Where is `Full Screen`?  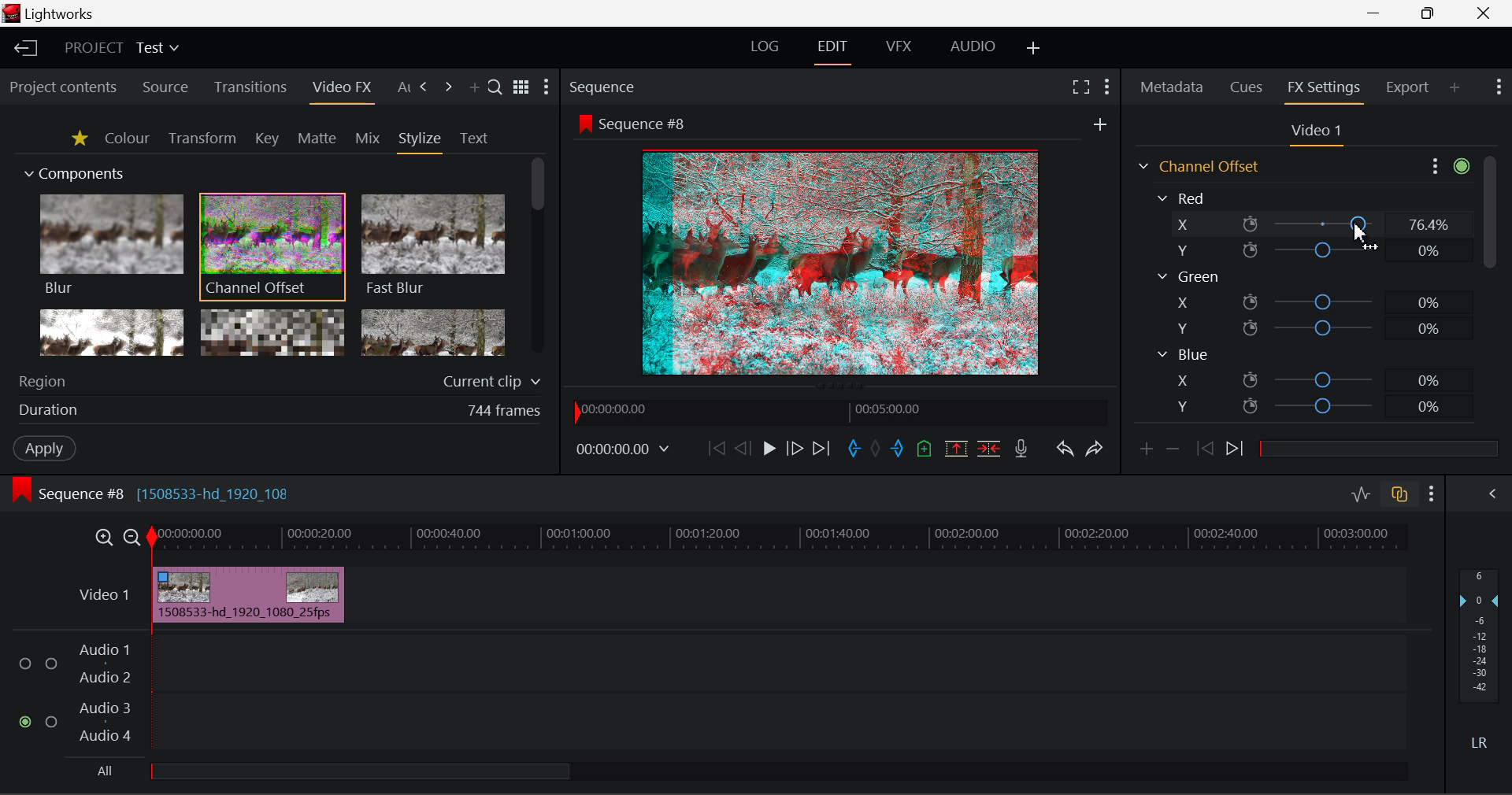
Full Screen is located at coordinates (1082, 89).